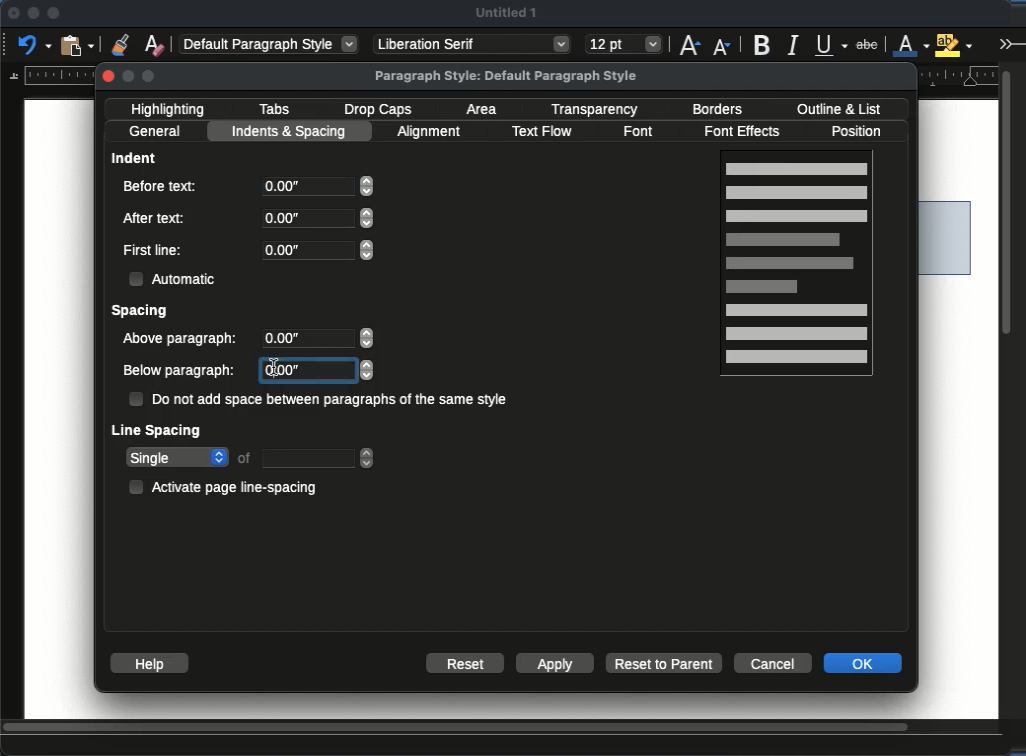 Image resolution: width=1026 pixels, height=756 pixels. Describe the element at coordinates (176, 279) in the screenshot. I see `automatic` at that location.